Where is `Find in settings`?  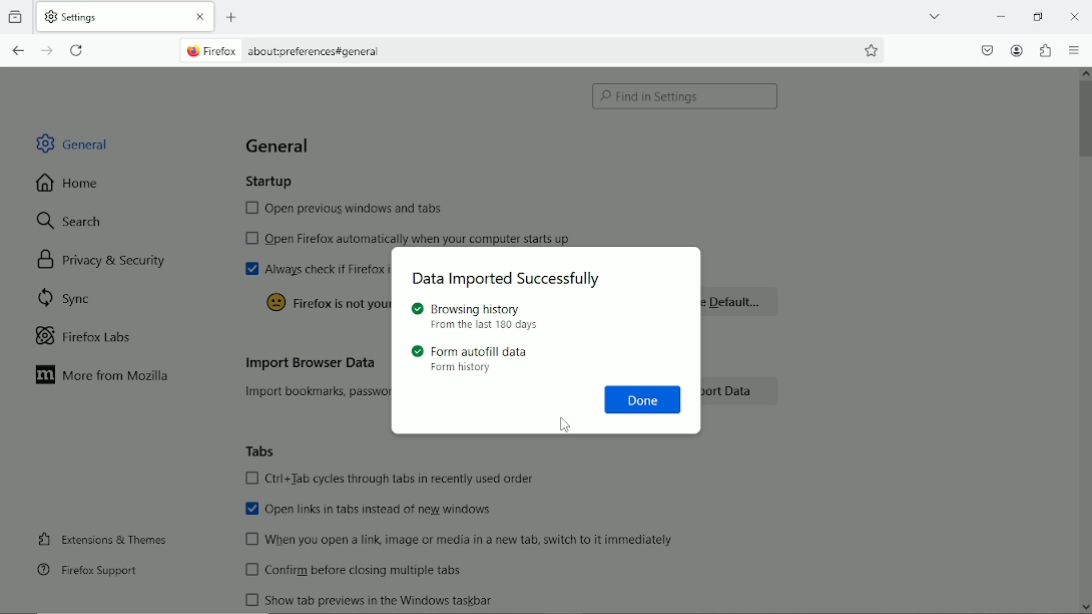 Find in settings is located at coordinates (683, 97).